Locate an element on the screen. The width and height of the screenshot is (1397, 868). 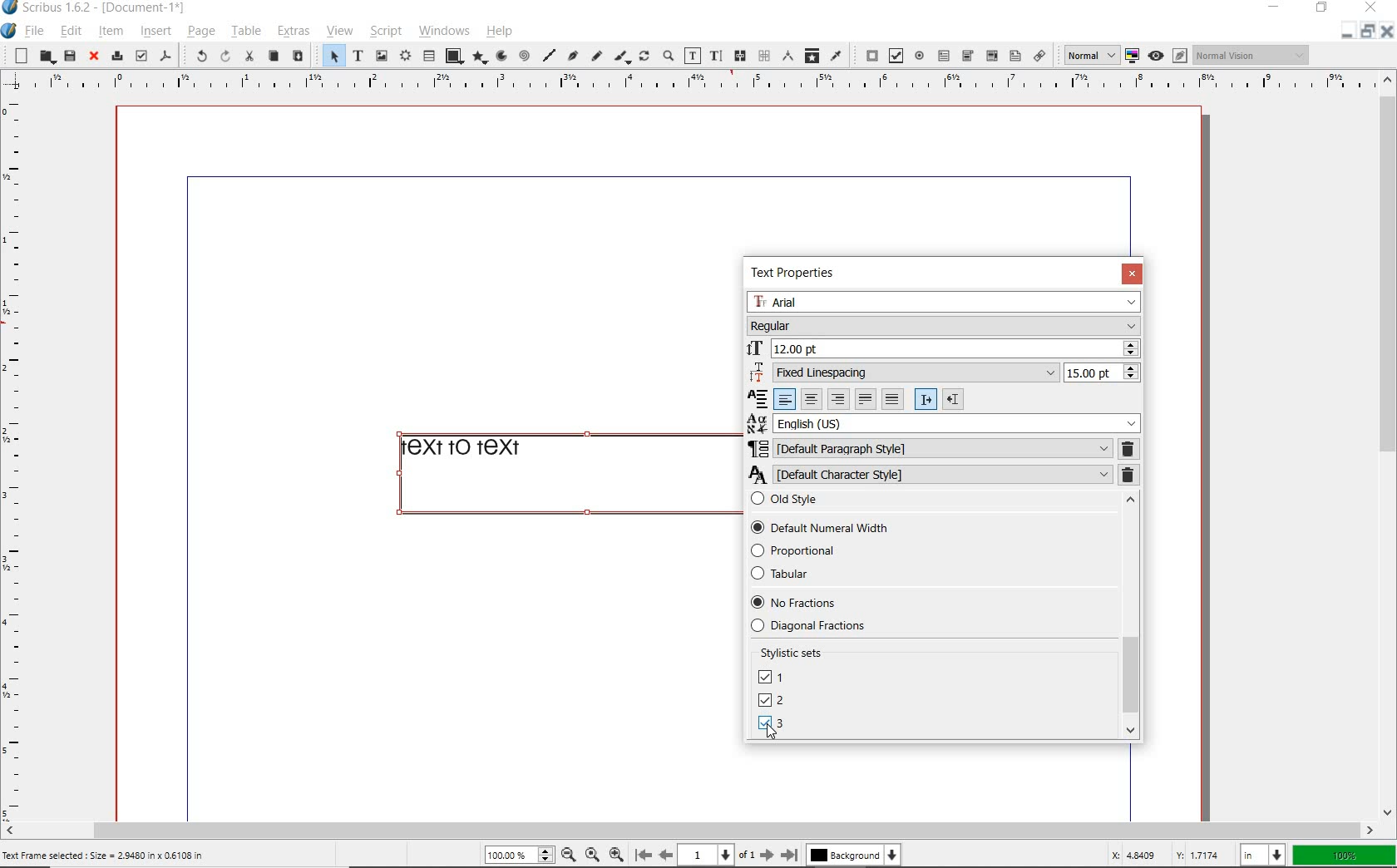
calligraphic line is located at coordinates (622, 57).